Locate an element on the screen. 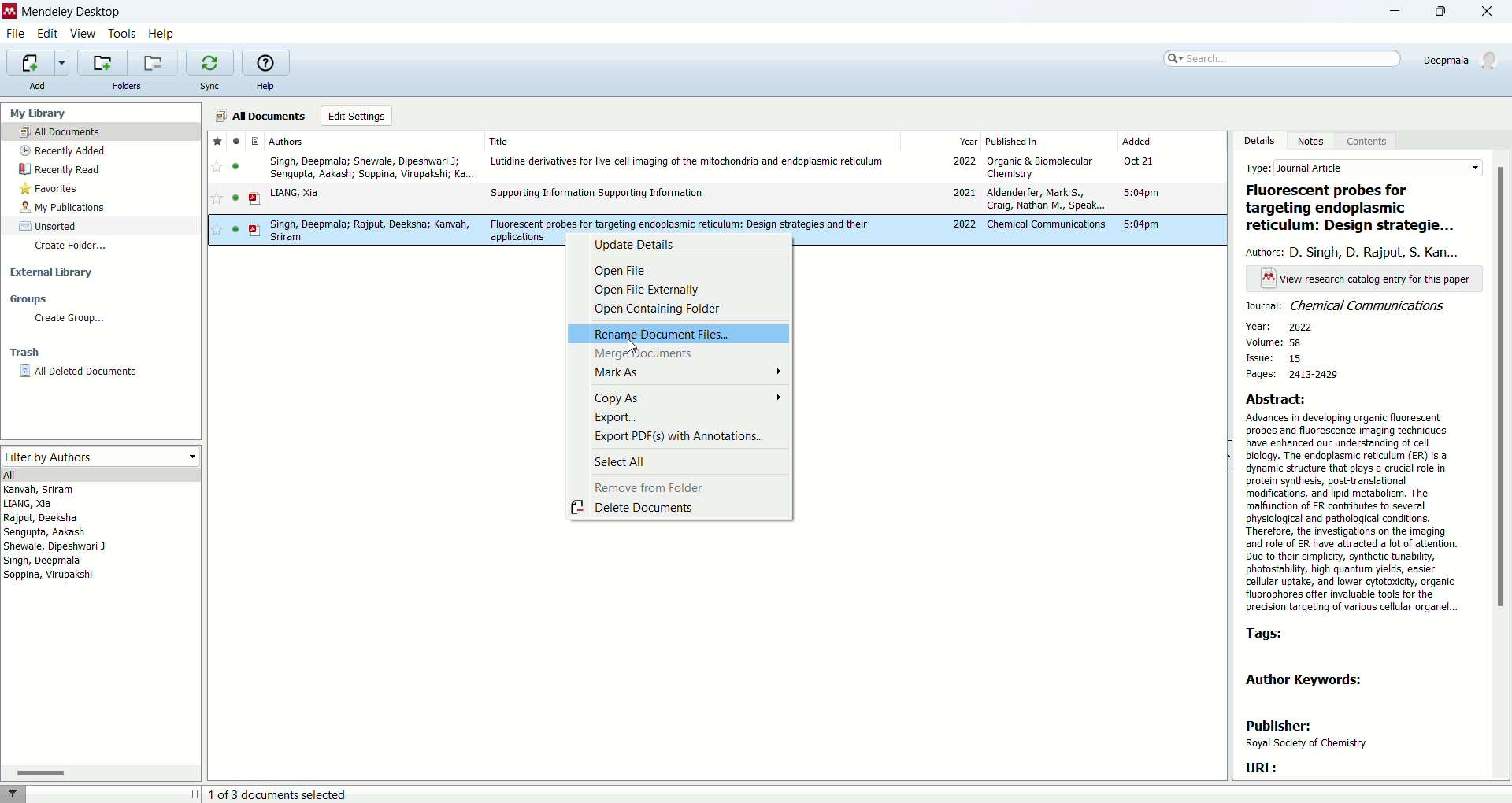 The image size is (1512, 803). Horizontal scroll bar is located at coordinates (101, 772).